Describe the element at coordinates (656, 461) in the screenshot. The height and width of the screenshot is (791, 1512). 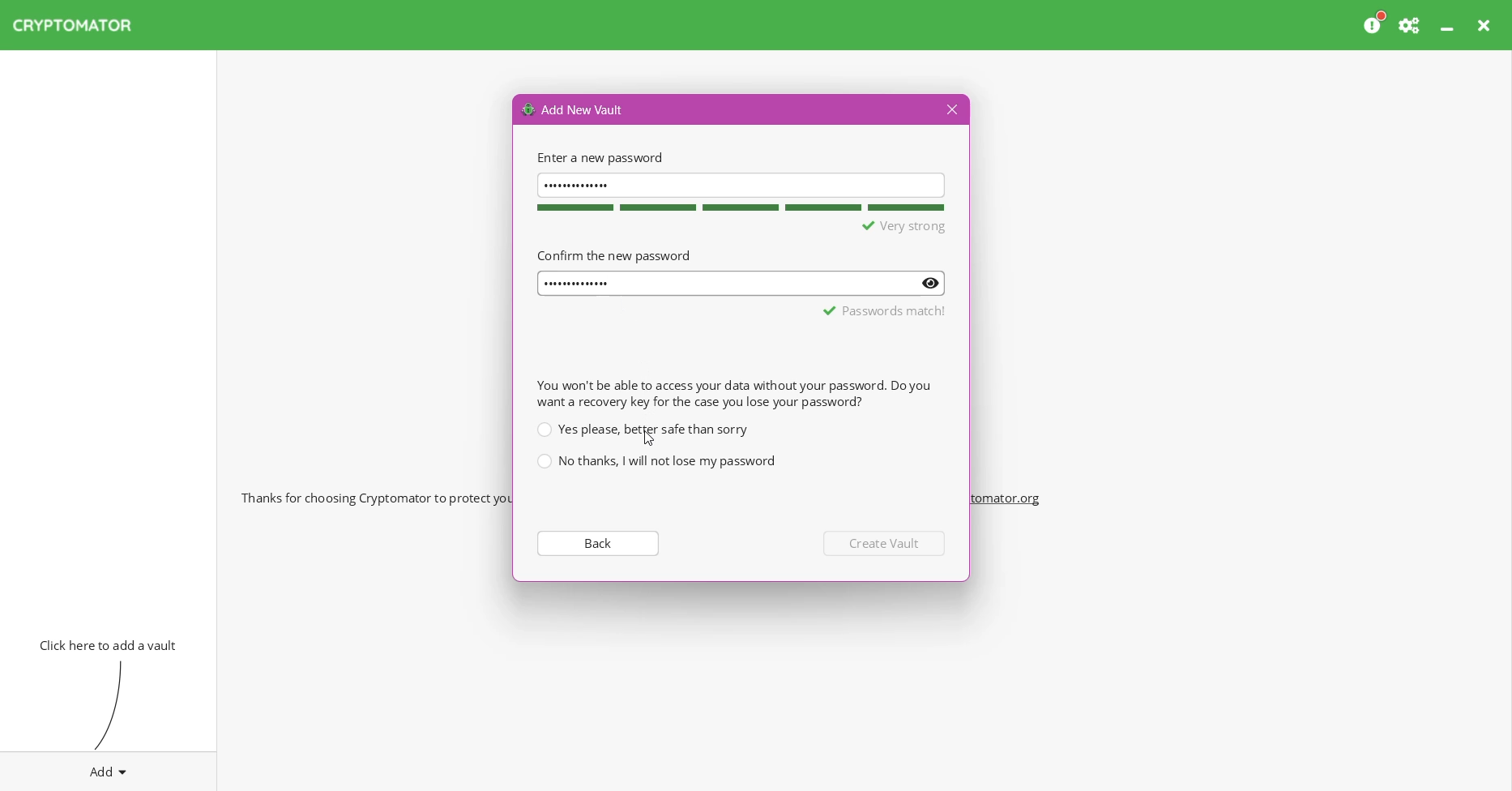
I see `(un)check please, I will not lose my password` at that location.